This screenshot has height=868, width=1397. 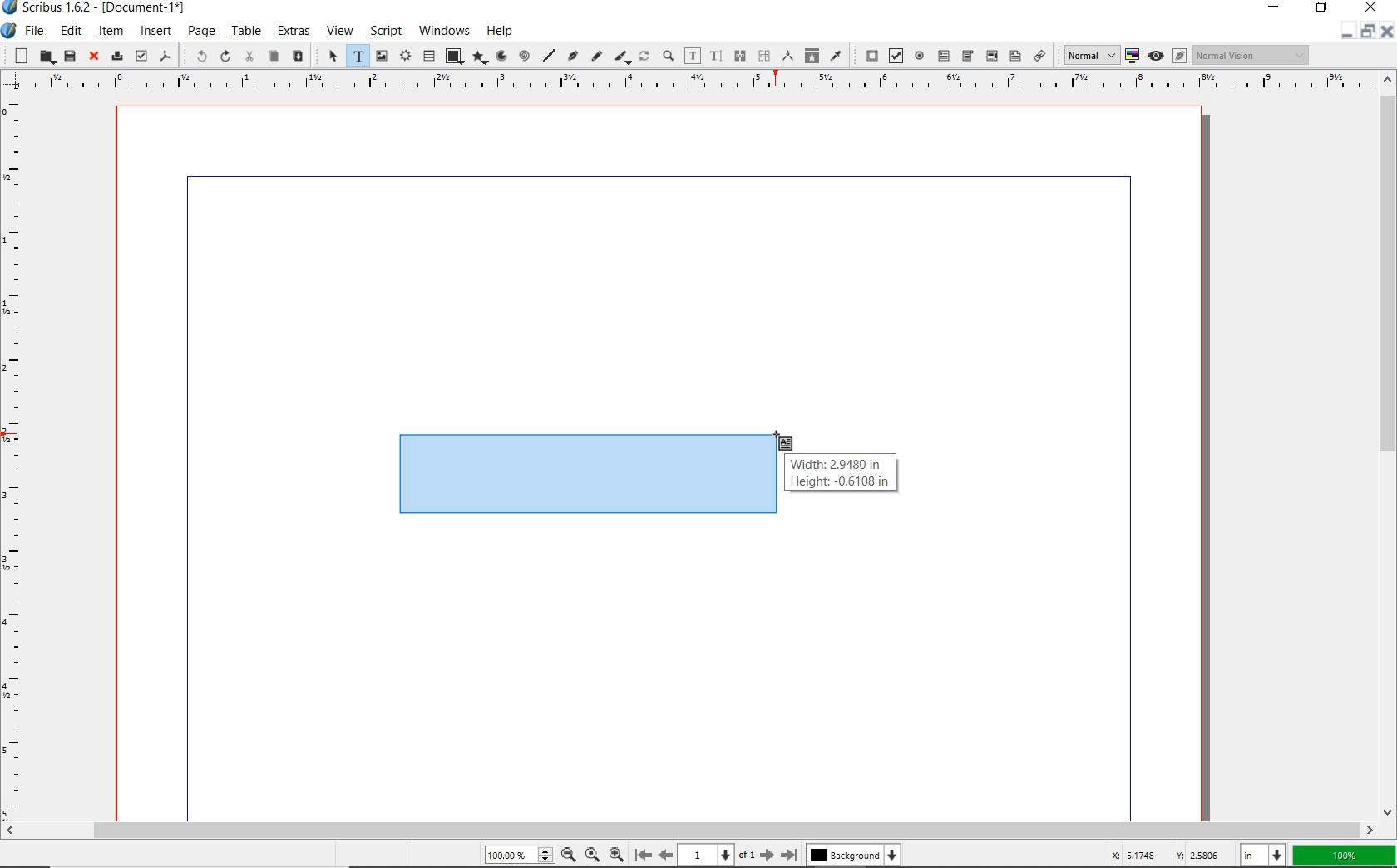 What do you see at coordinates (1345, 32) in the screenshot?
I see `Restore down` at bounding box center [1345, 32].